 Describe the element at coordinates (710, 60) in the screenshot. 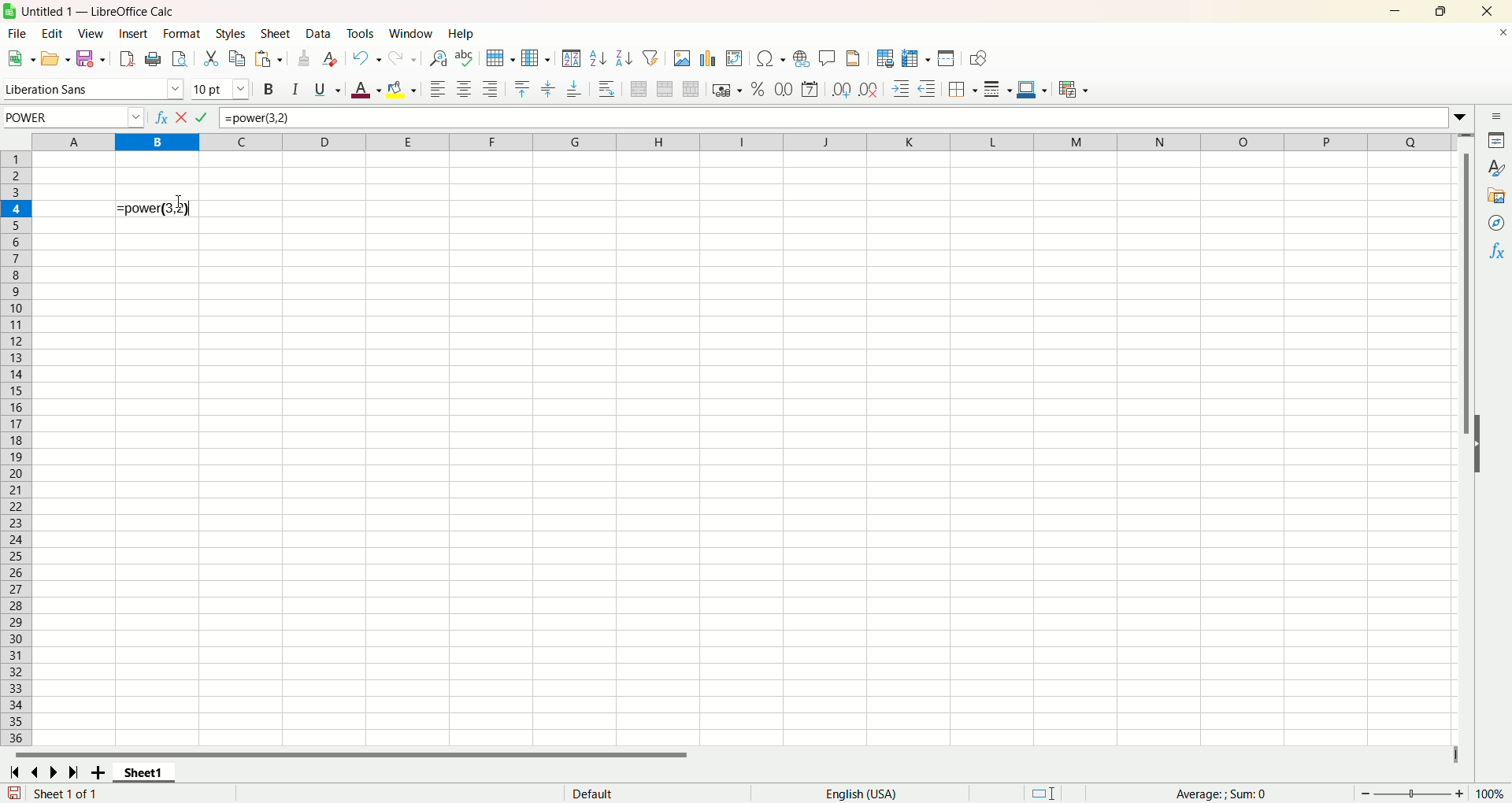

I see `insert chart` at that location.